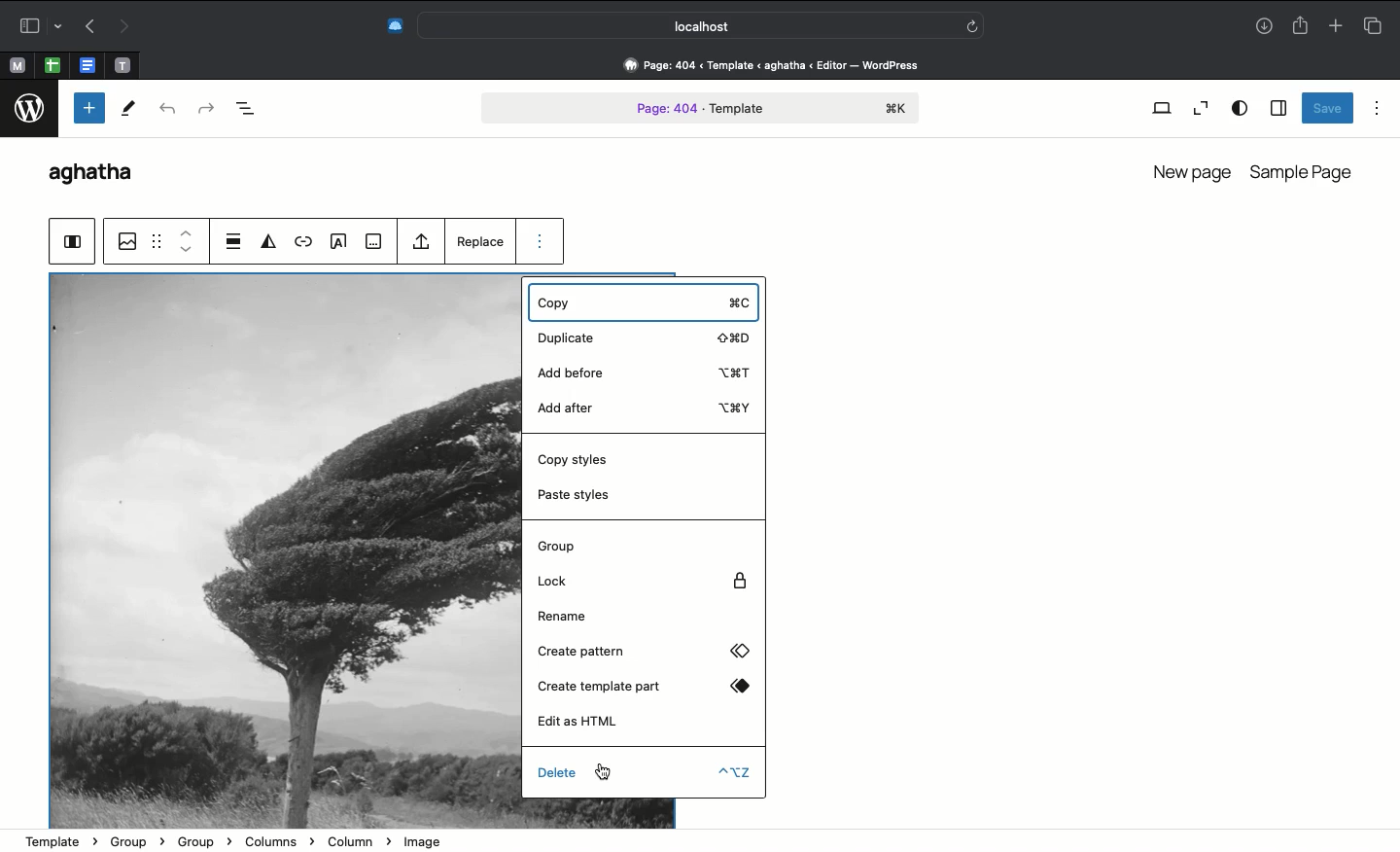 Image resolution: width=1400 pixels, height=852 pixels. Describe the element at coordinates (647, 306) in the screenshot. I see `Copy` at that location.